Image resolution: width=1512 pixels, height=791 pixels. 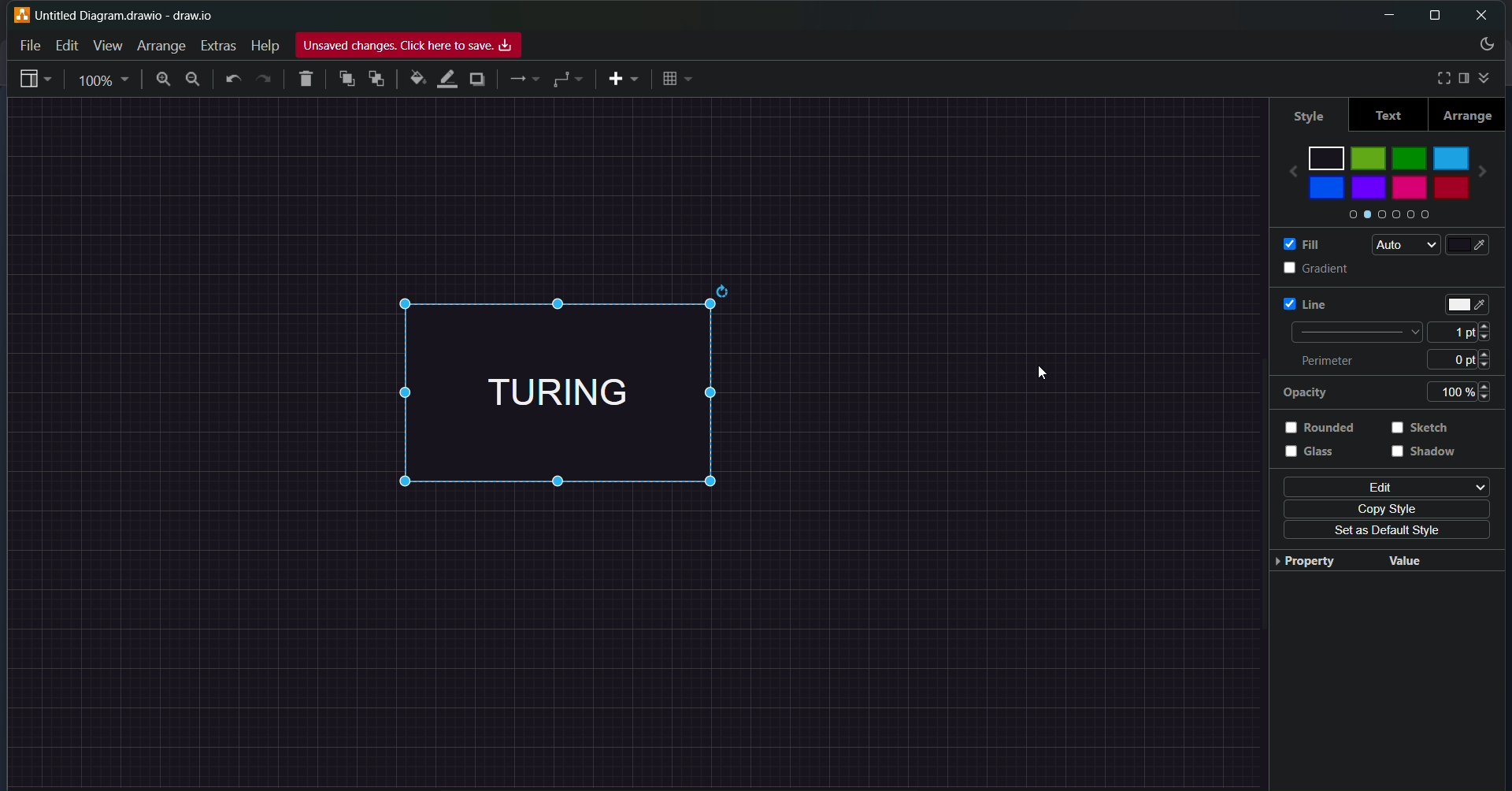 What do you see at coordinates (1390, 508) in the screenshot?
I see `copy style` at bounding box center [1390, 508].